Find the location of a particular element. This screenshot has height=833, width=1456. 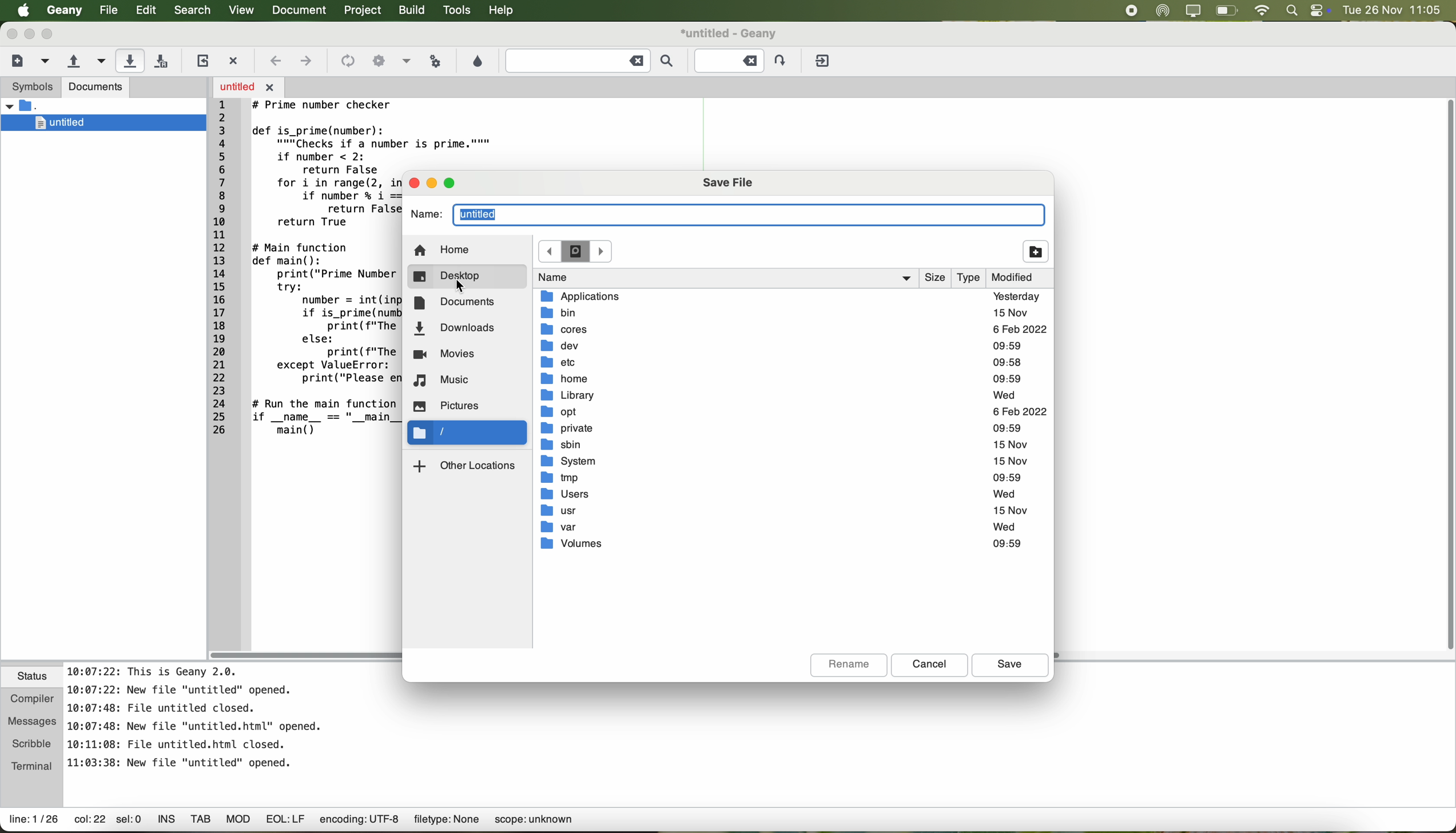

wifi is located at coordinates (1263, 10).